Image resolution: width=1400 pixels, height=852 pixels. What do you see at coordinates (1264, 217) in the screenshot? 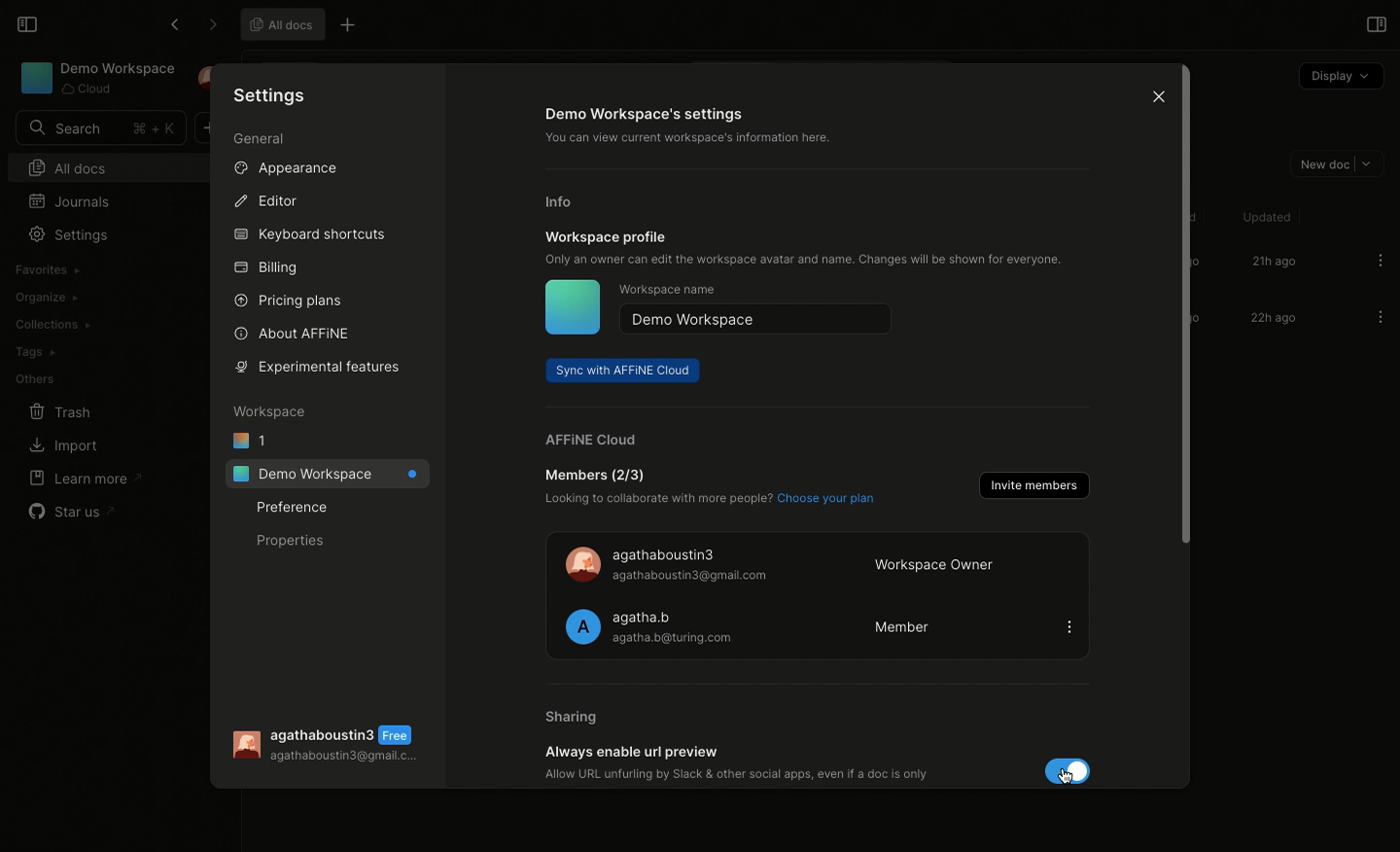
I see `Updated` at bounding box center [1264, 217].